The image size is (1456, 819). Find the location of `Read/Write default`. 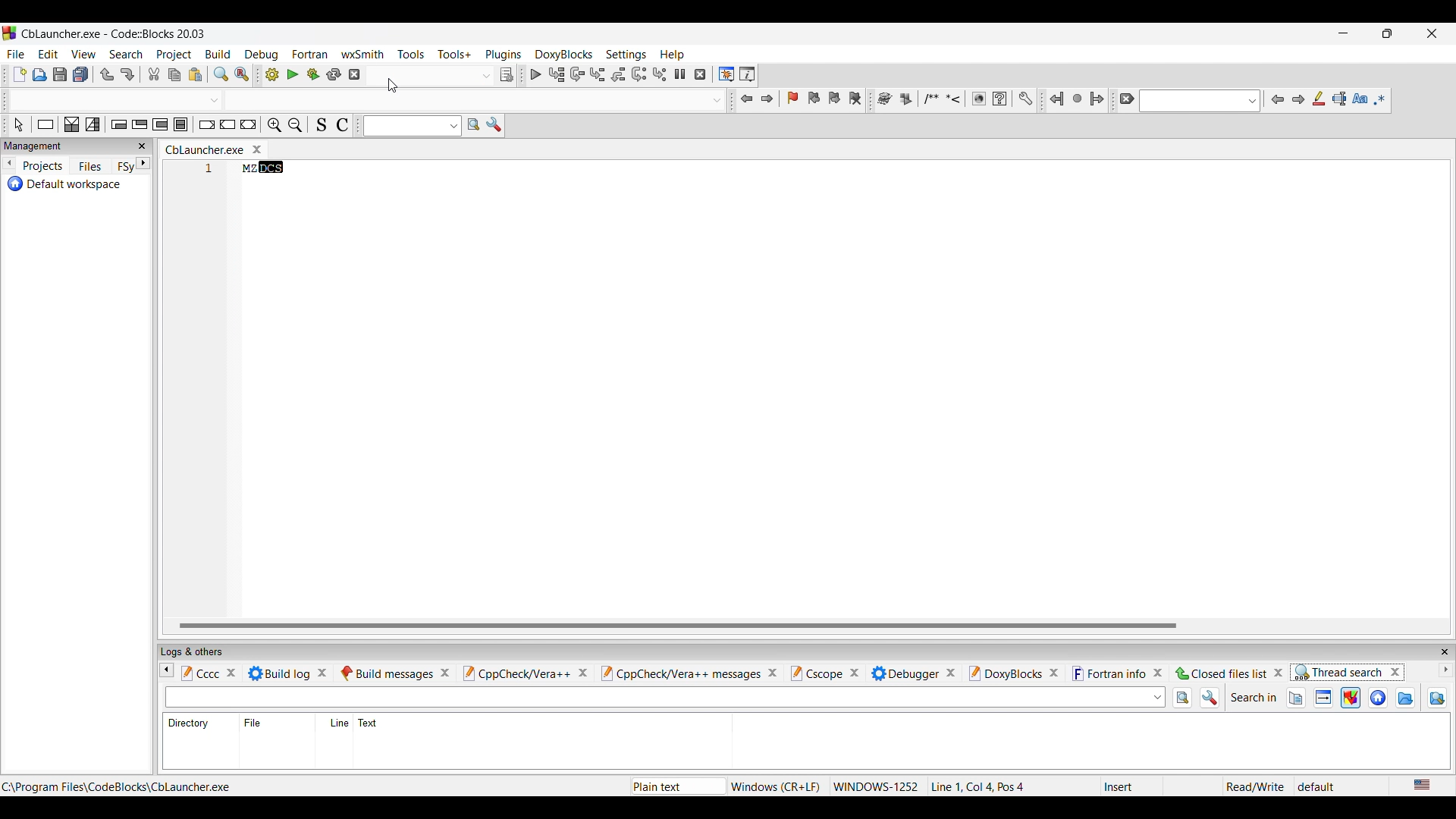

Read/Write default is located at coordinates (1284, 783).